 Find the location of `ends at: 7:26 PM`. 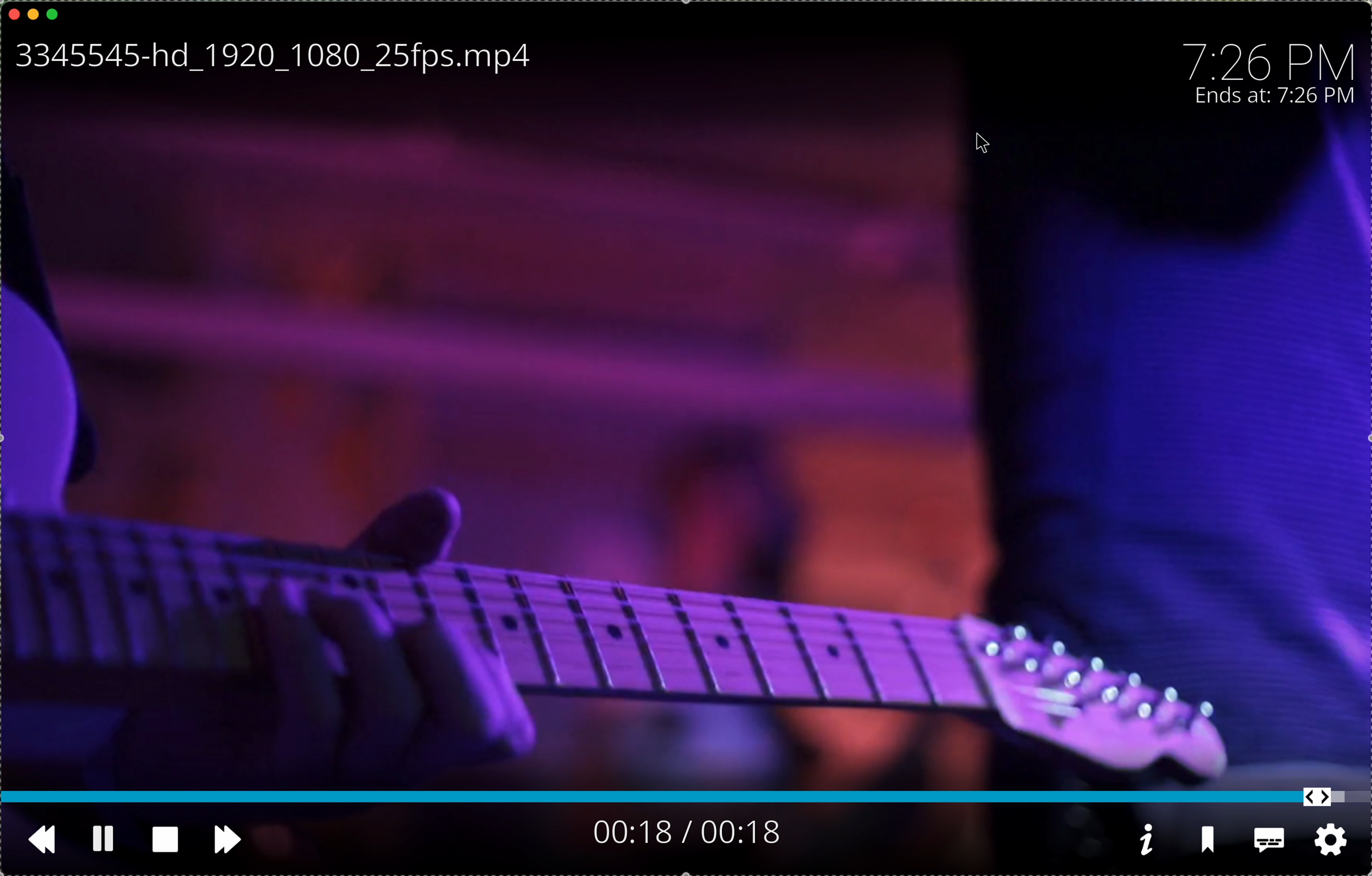

ends at: 7:26 PM is located at coordinates (1280, 97).